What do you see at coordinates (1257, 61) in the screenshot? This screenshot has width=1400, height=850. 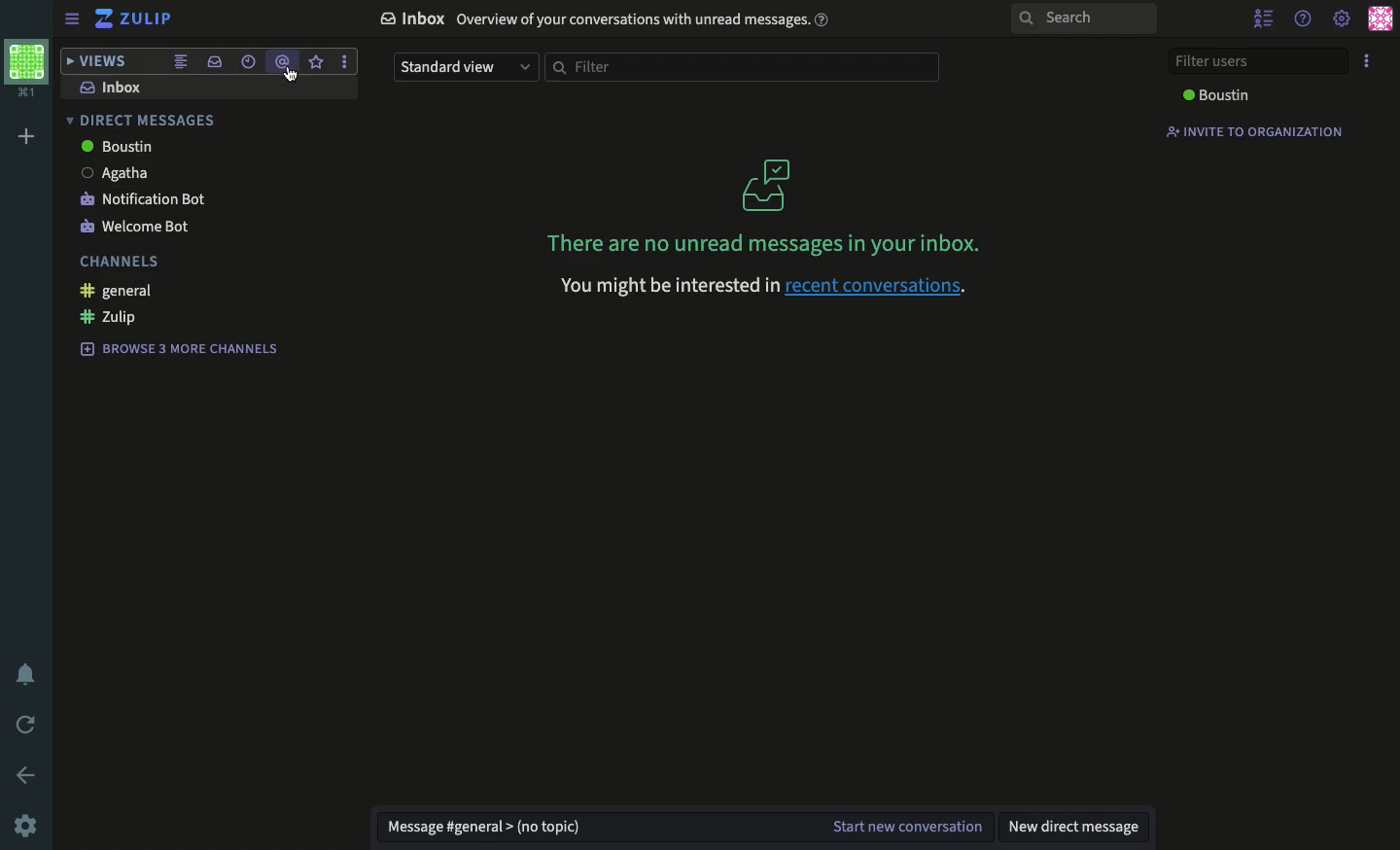 I see `filter users` at bounding box center [1257, 61].